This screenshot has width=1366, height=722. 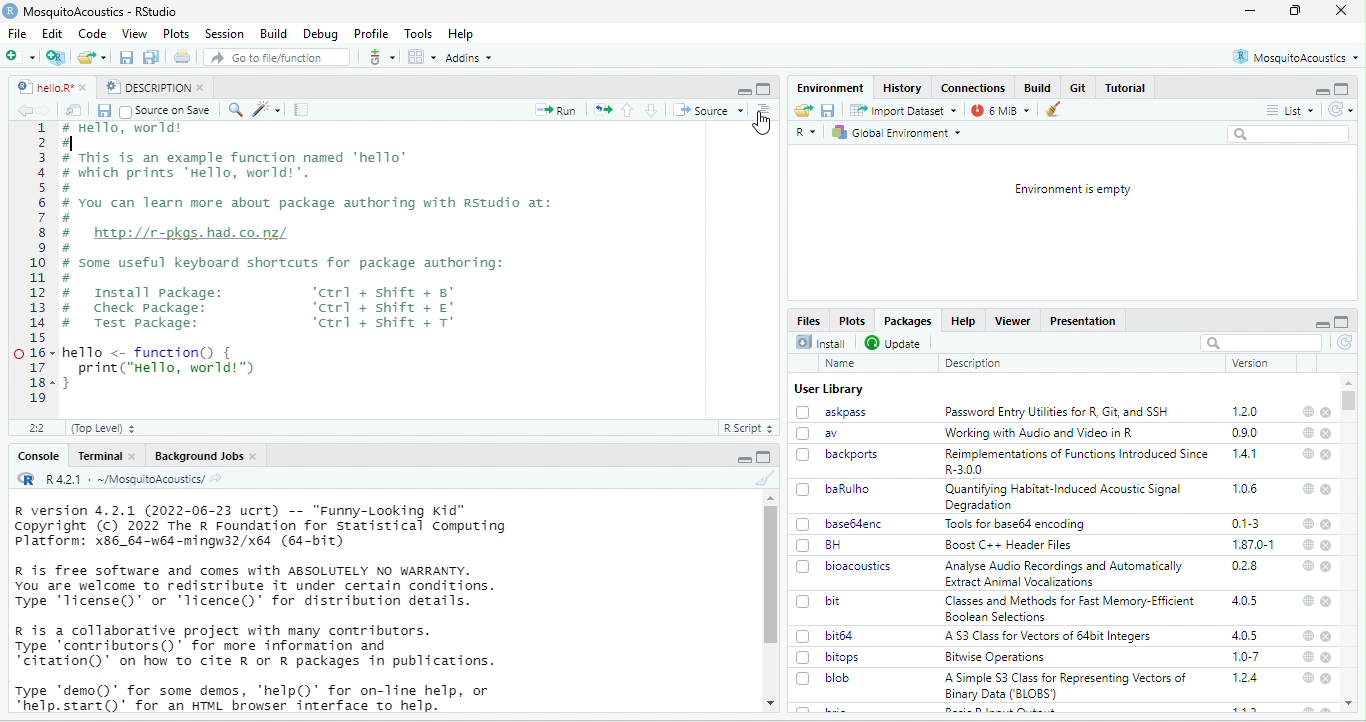 I want to click on Background Jobs, so click(x=204, y=455).